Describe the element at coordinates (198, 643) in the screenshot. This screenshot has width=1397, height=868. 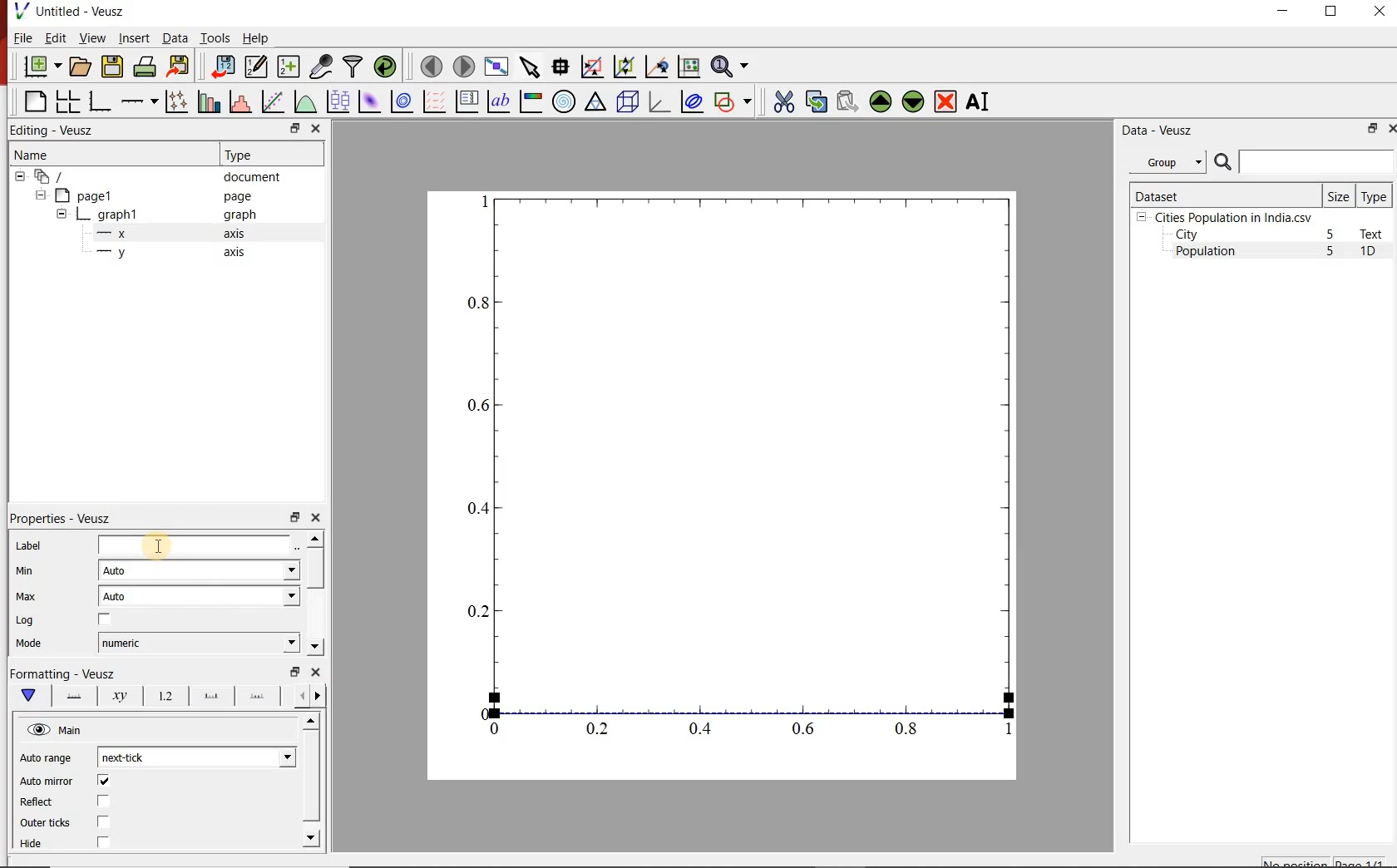
I see `numeric` at that location.